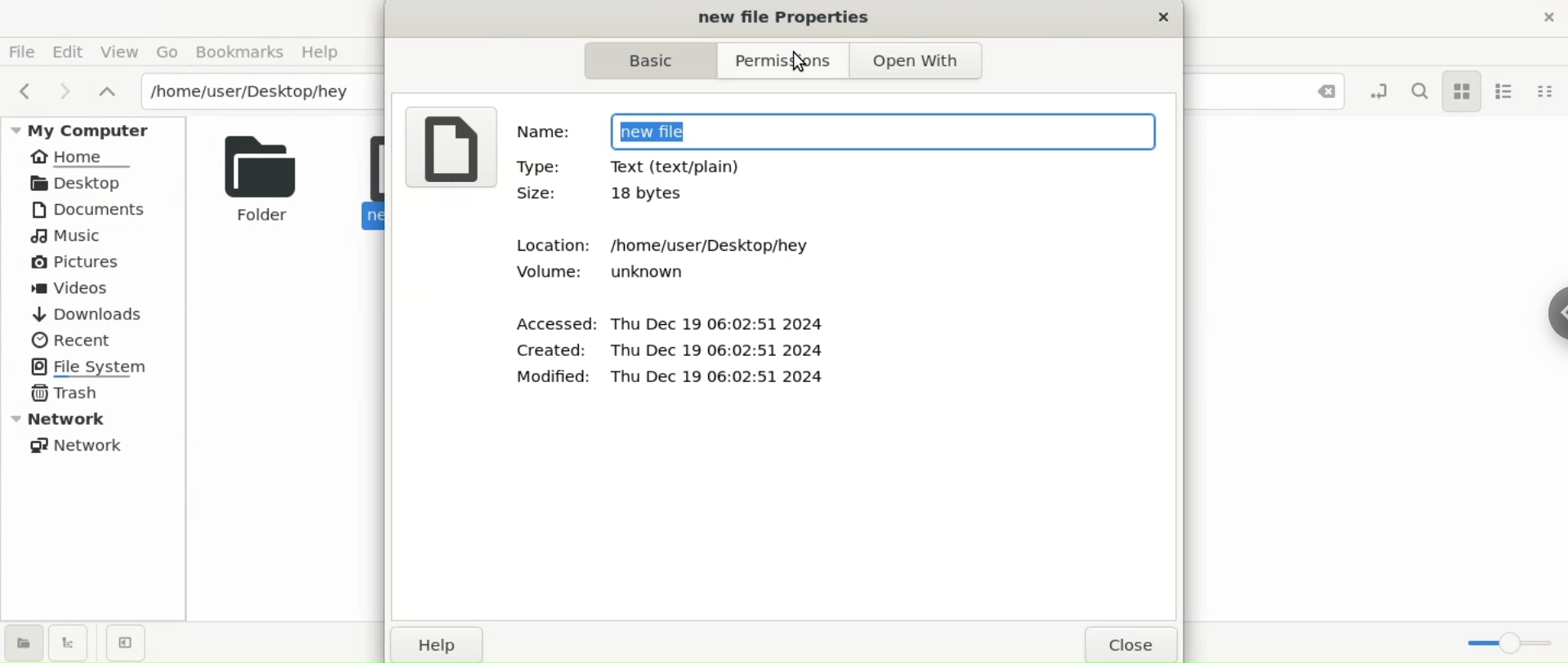 This screenshot has width=1568, height=663. What do you see at coordinates (1165, 20) in the screenshot?
I see `close` at bounding box center [1165, 20].